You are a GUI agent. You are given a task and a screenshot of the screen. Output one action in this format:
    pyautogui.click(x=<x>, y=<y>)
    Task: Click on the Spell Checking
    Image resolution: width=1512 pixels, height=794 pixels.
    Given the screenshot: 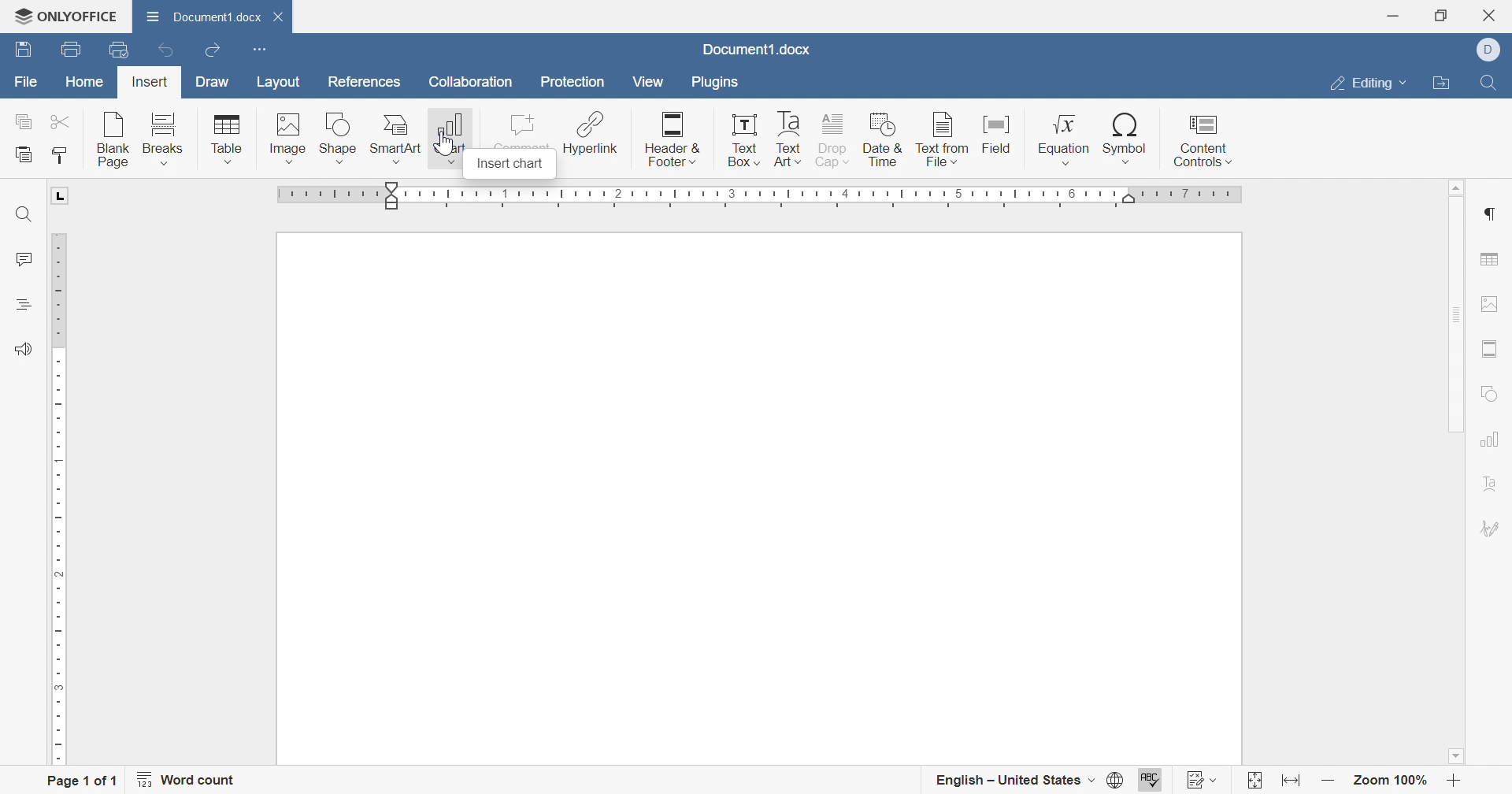 What is the action you would take?
    pyautogui.click(x=1152, y=779)
    